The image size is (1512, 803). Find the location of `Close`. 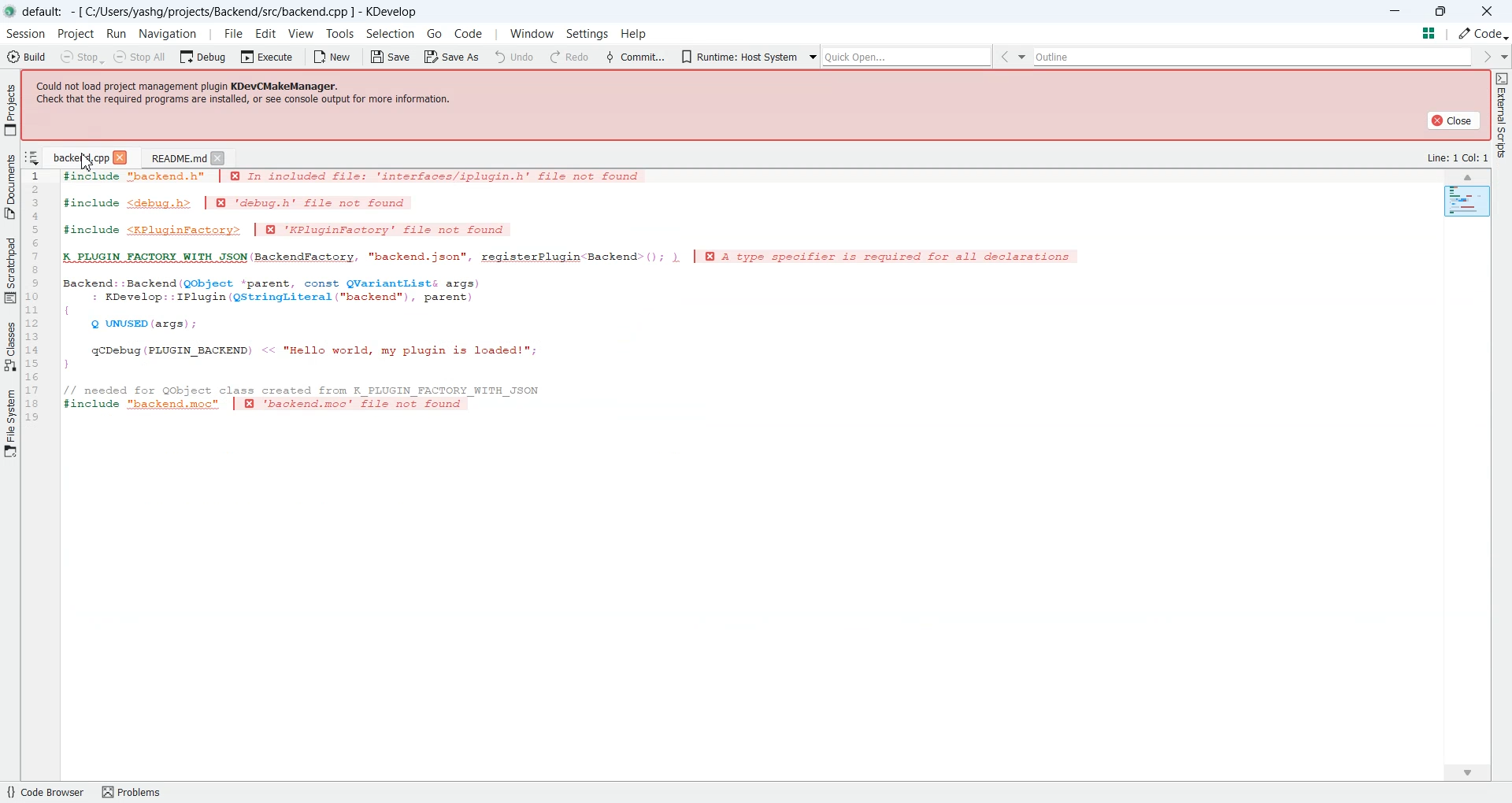

Close is located at coordinates (218, 157).